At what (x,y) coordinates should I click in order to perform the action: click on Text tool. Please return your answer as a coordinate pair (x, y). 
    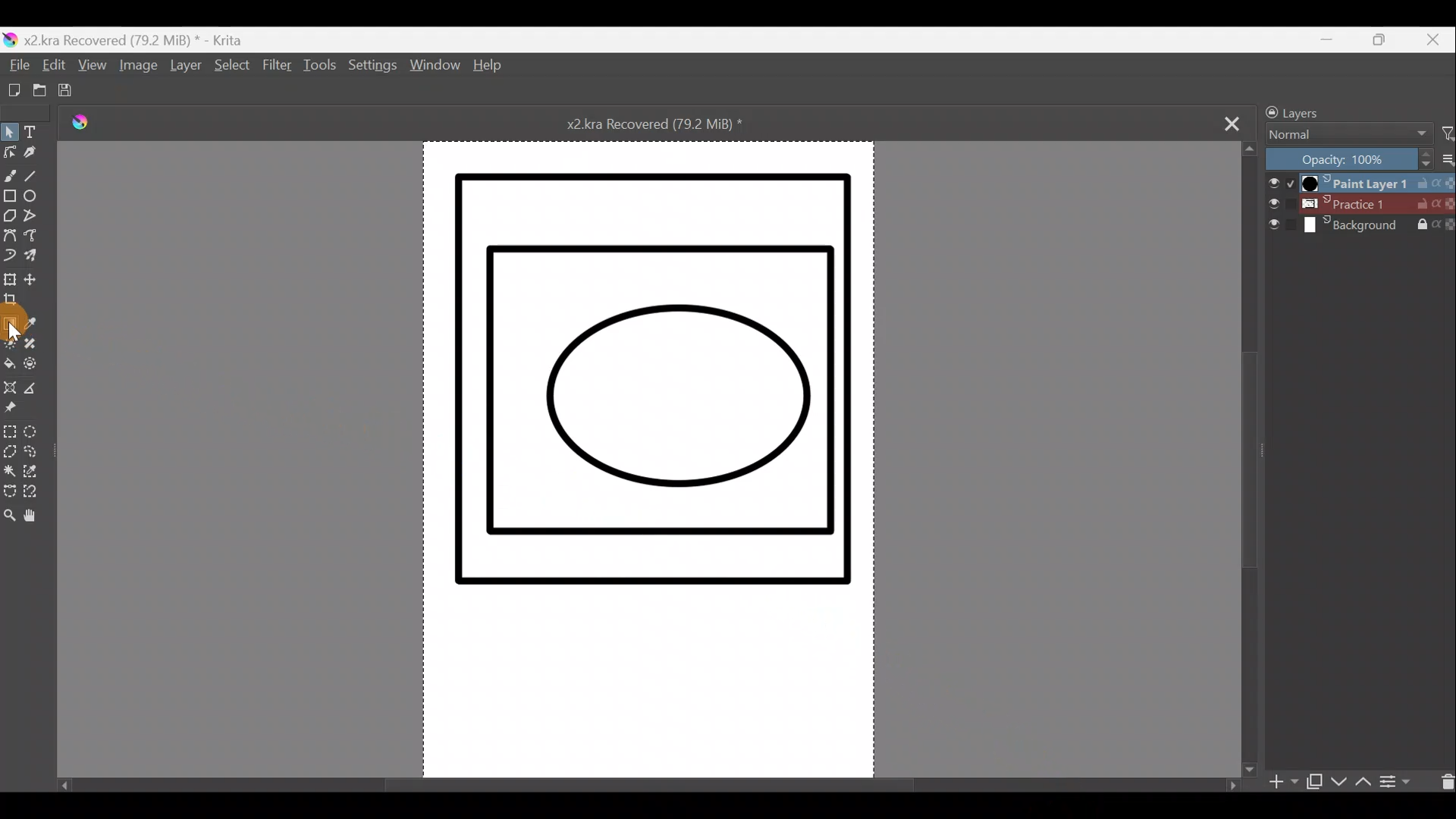
    Looking at the image, I should click on (35, 132).